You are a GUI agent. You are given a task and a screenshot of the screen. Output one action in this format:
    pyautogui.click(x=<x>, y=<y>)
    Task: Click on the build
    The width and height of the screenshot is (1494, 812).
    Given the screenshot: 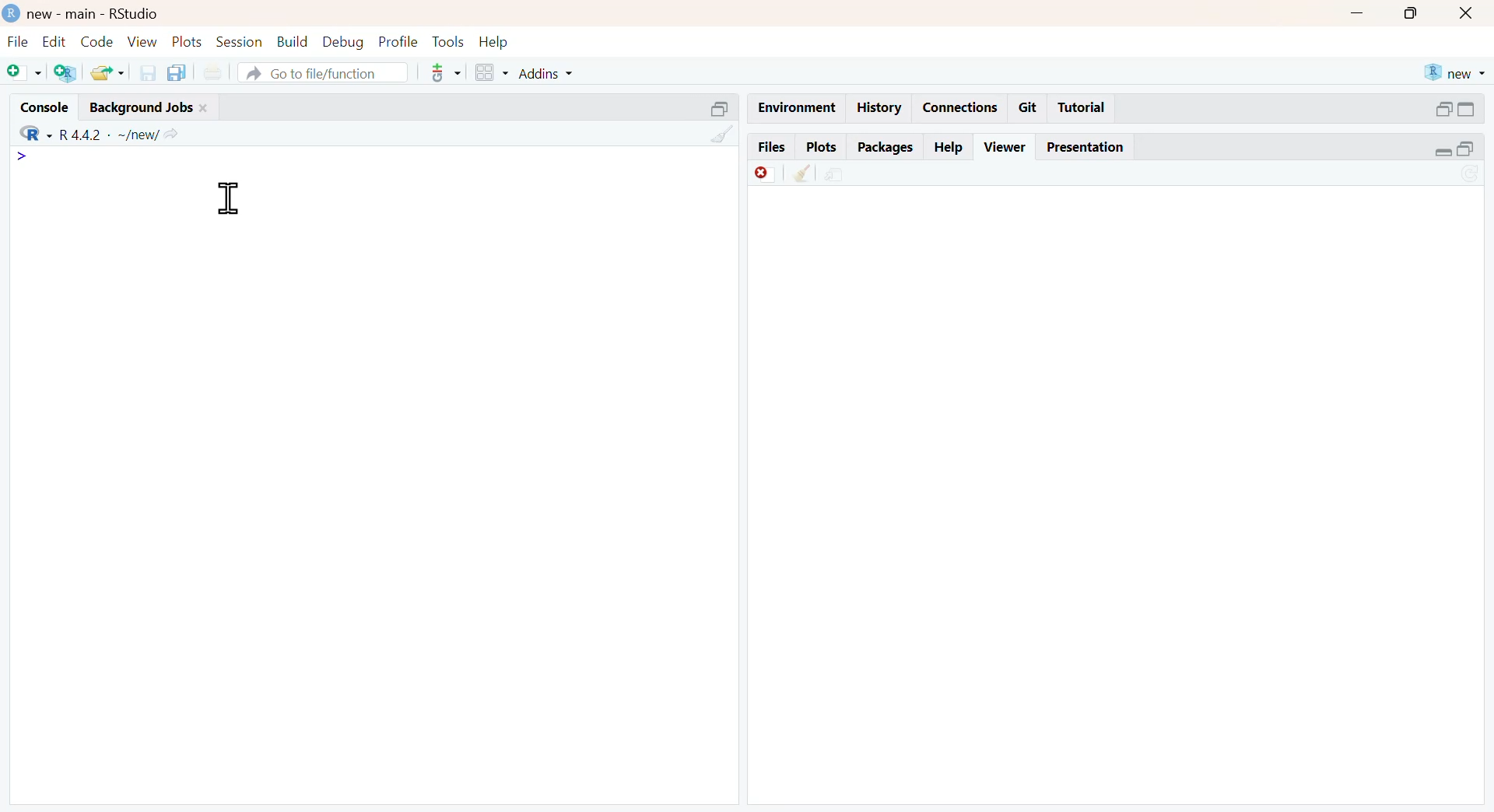 What is the action you would take?
    pyautogui.click(x=294, y=42)
    